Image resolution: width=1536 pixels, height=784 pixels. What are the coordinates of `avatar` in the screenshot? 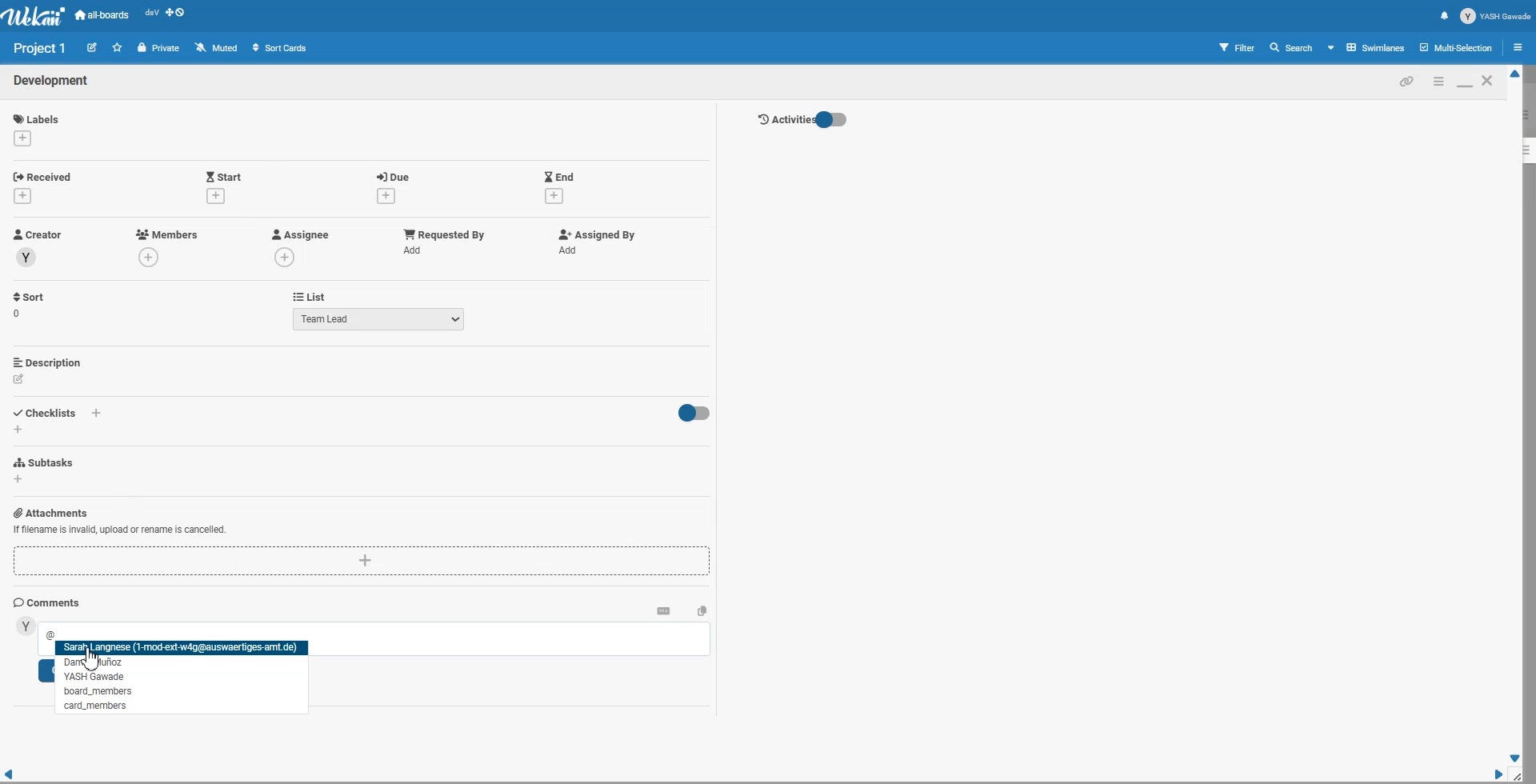 It's located at (26, 626).